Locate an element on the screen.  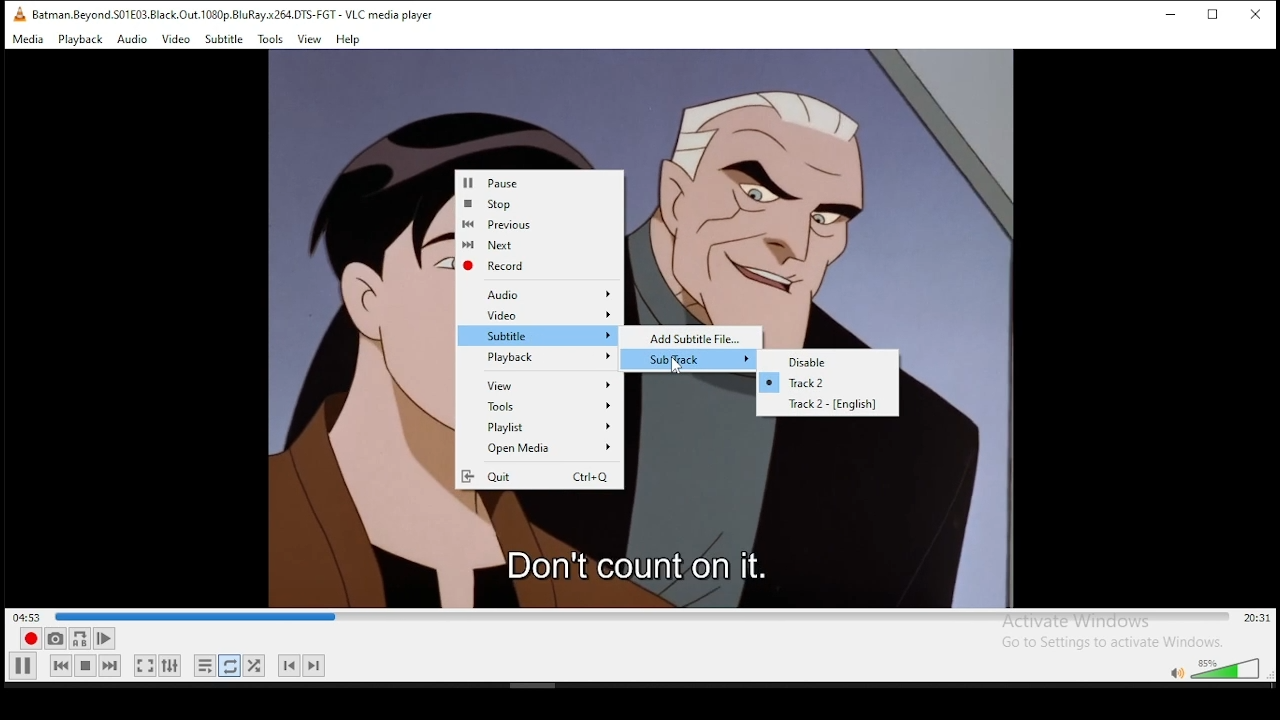
Quit is located at coordinates (538, 477).